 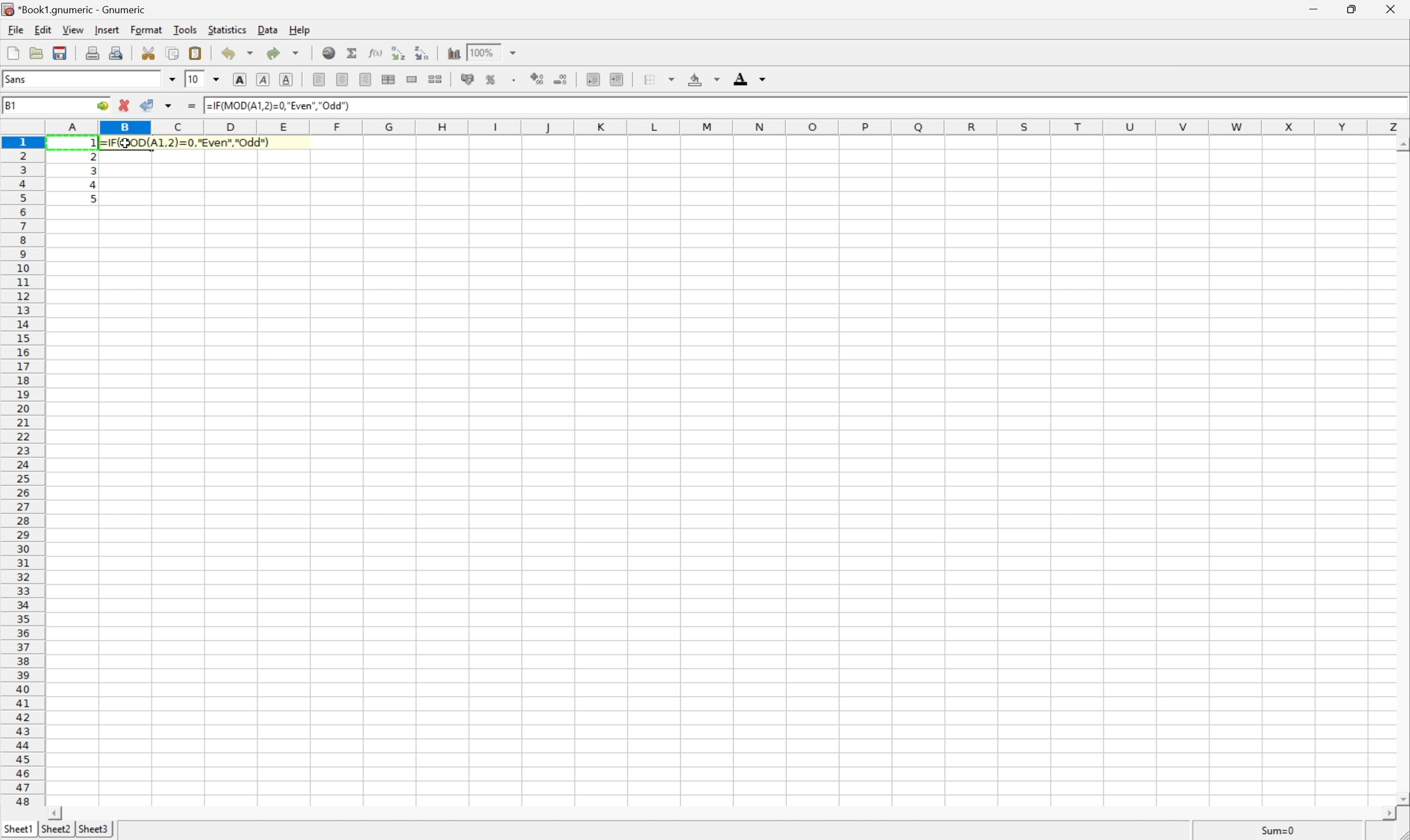 What do you see at coordinates (490, 80) in the screenshot?
I see `Format selection as percentage` at bounding box center [490, 80].